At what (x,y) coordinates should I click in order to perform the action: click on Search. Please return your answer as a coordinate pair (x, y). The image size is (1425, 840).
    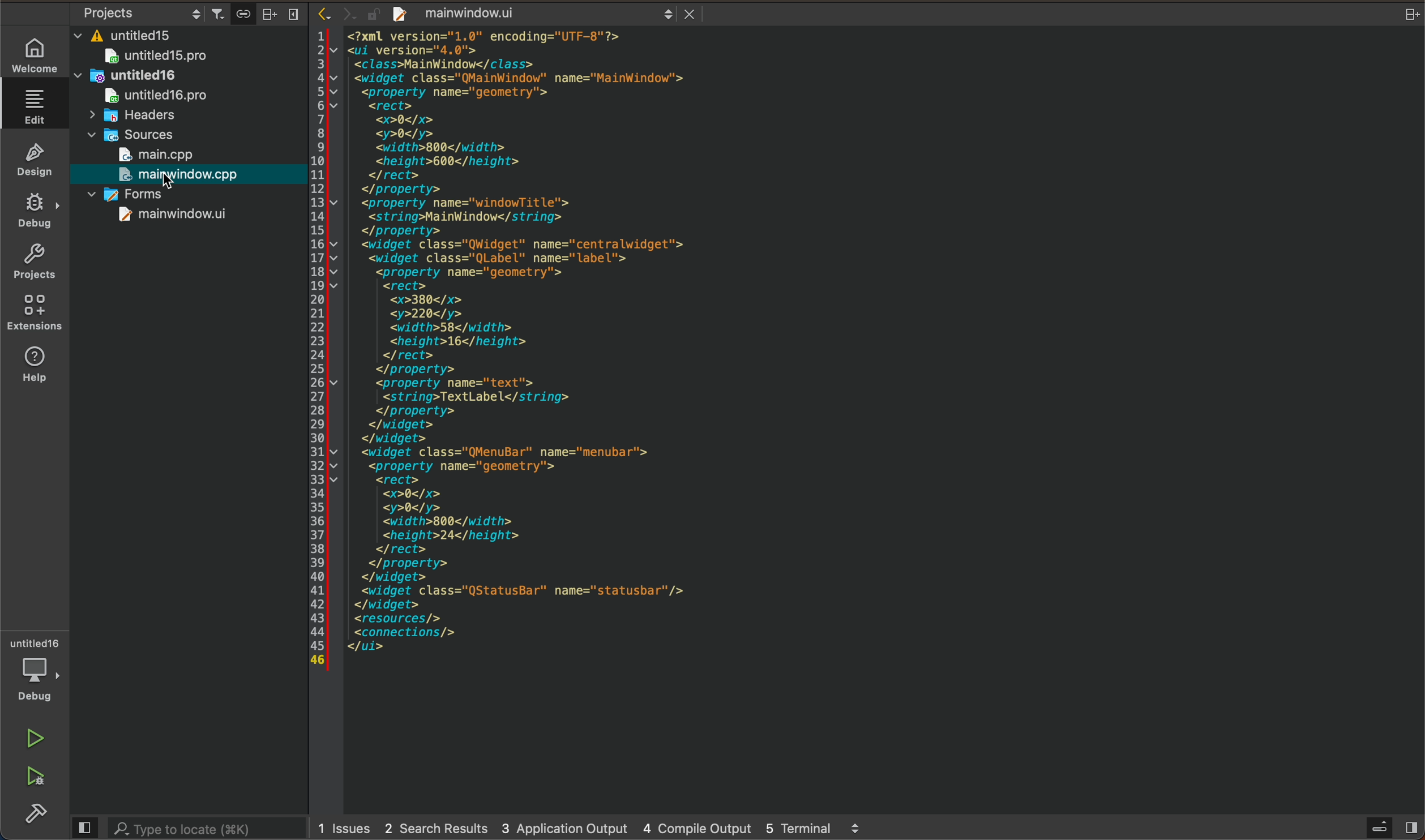
    Looking at the image, I should click on (157, 36).